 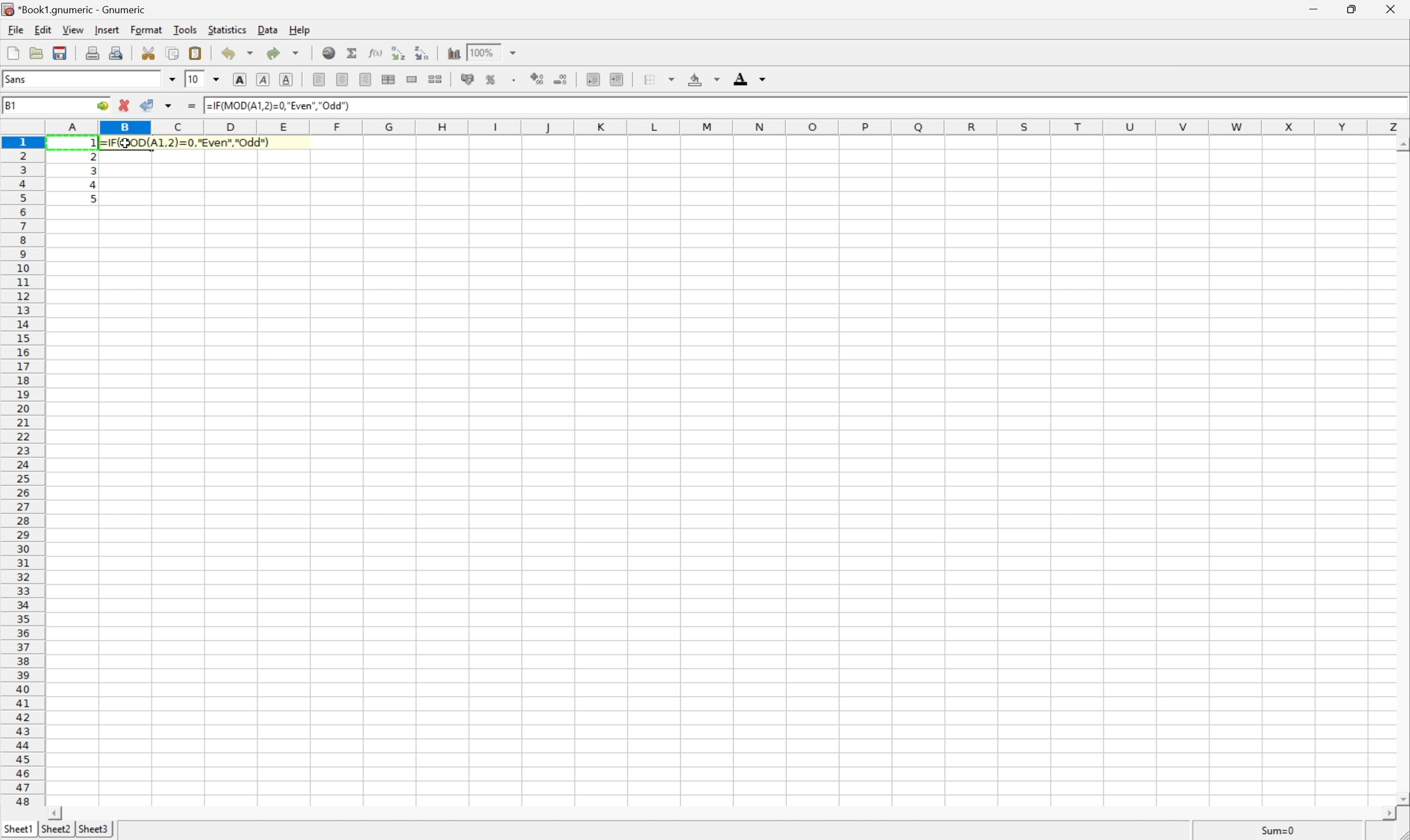 I want to click on Insert a hyperlink, so click(x=329, y=53).